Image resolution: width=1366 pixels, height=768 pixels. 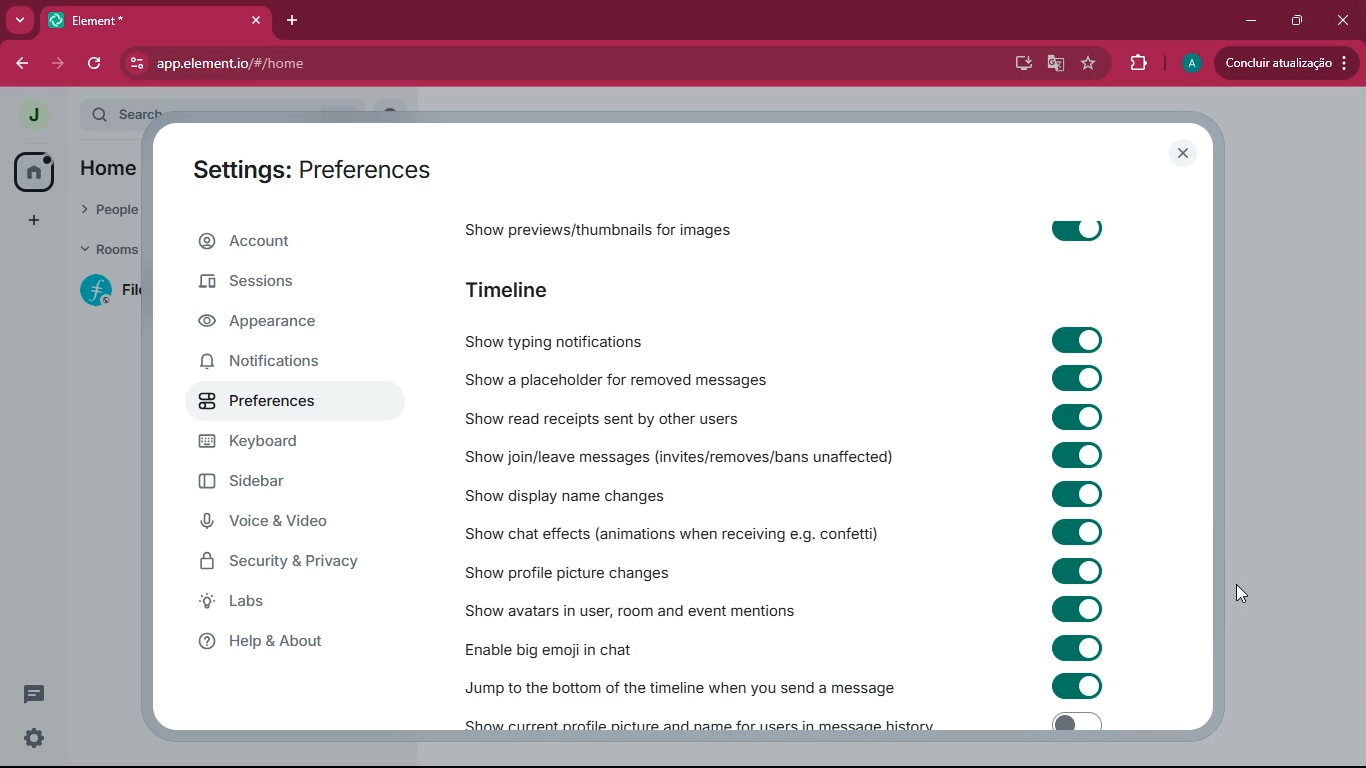 What do you see at coordinates (34, 694) in the screenshot?
I see `comments` at bounding box center [34, 694].